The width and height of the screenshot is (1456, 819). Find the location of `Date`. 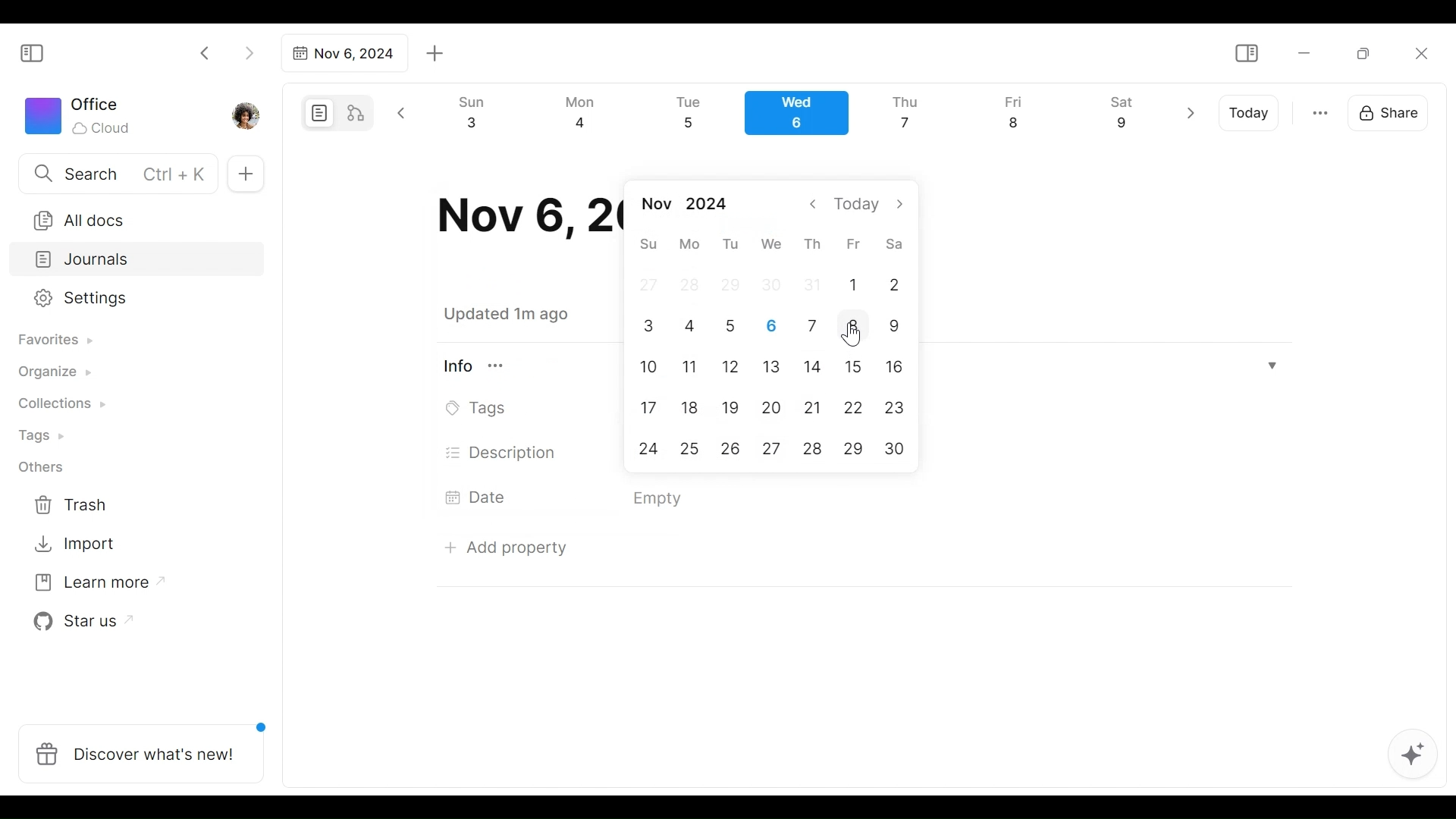

Date is located at coordinates (522, 216).